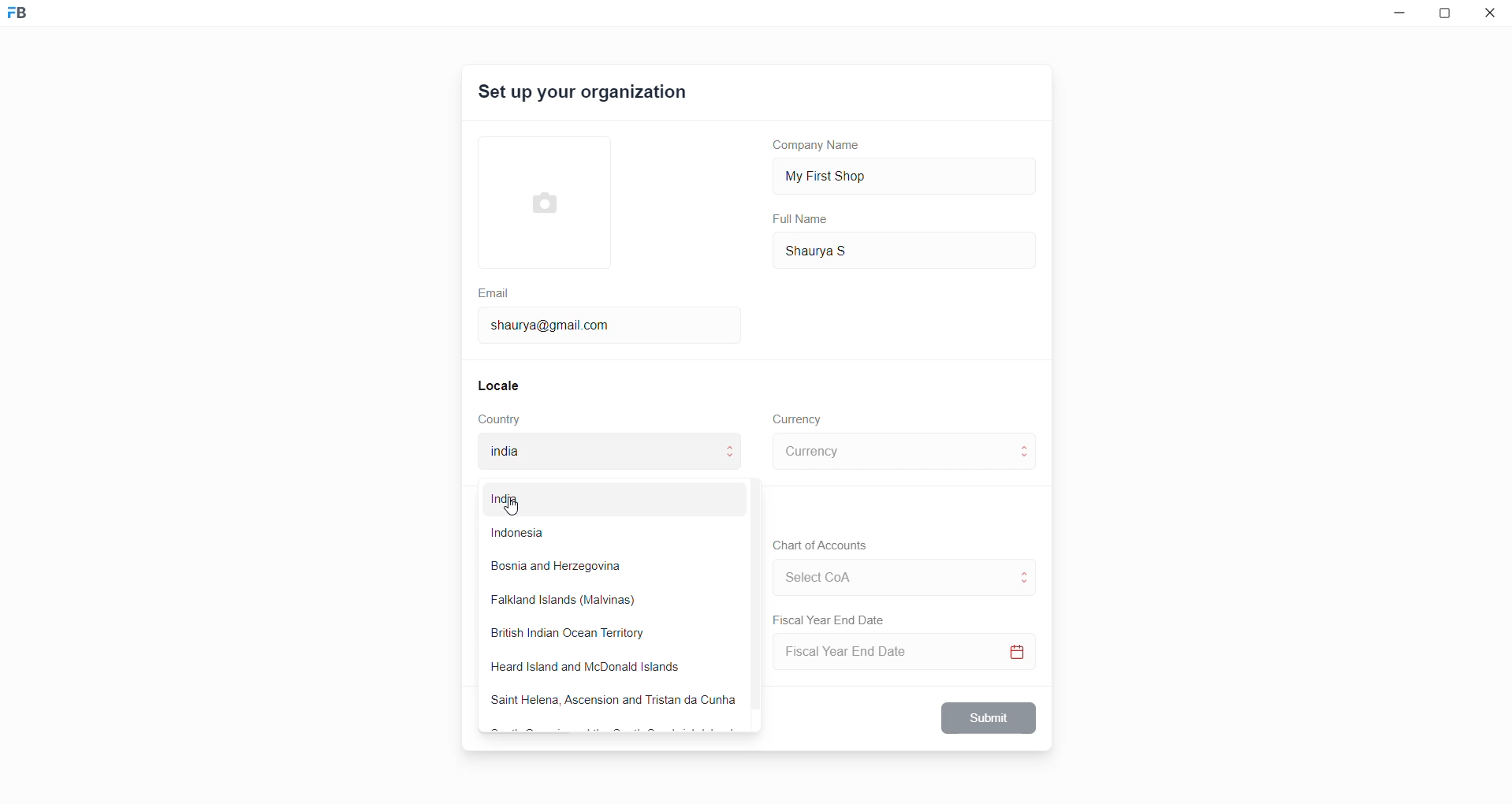 The height and width of the screenshot is (804, 1512). I want to click on Locale, so click(500, 385).